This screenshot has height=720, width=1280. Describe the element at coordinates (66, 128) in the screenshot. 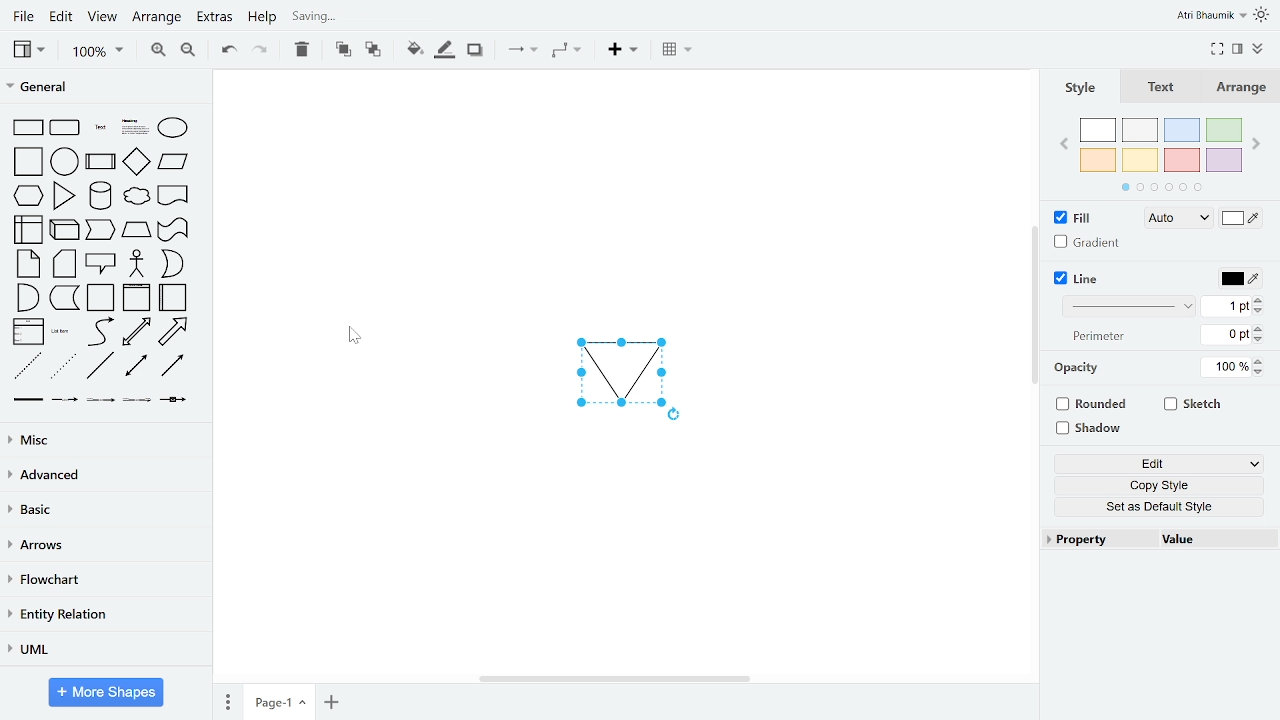

I see `rounded rectangle` at that location.